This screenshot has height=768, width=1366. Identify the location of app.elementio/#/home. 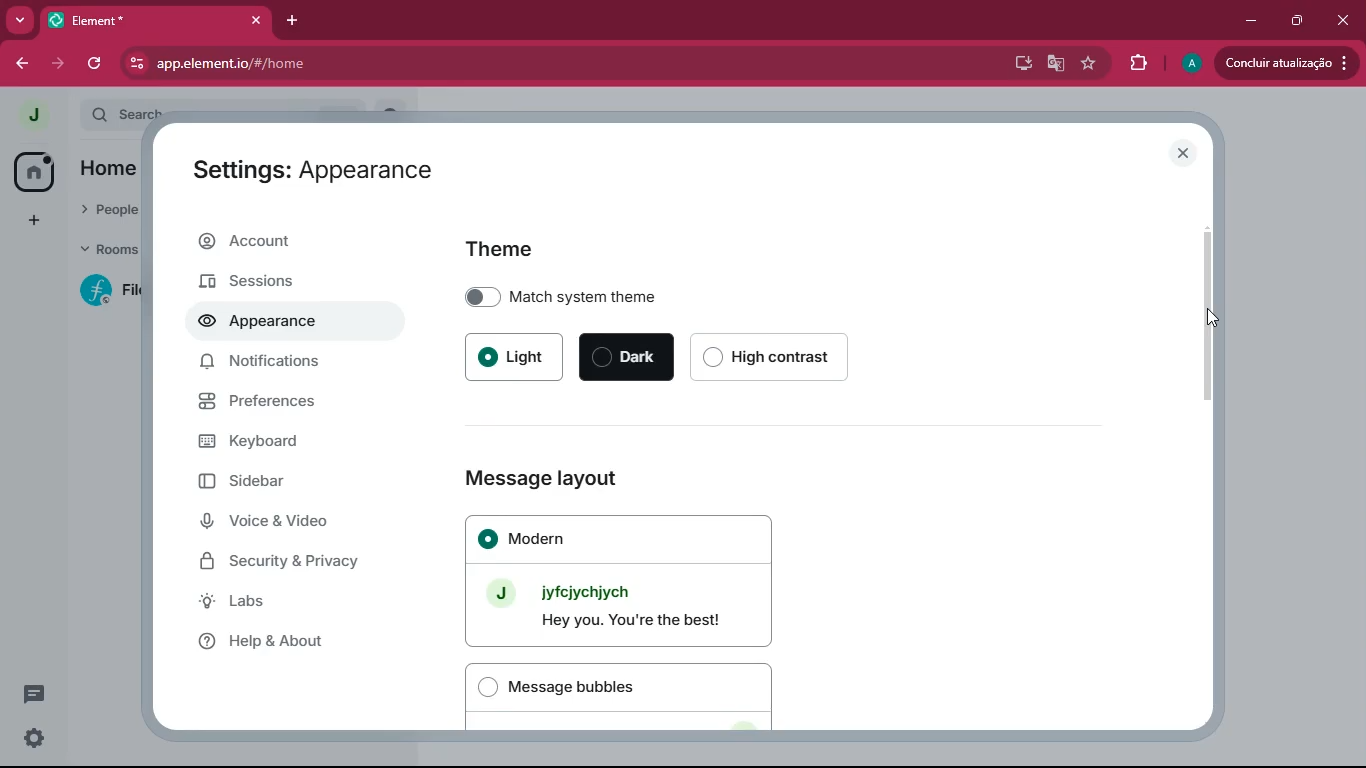
(451, 64).